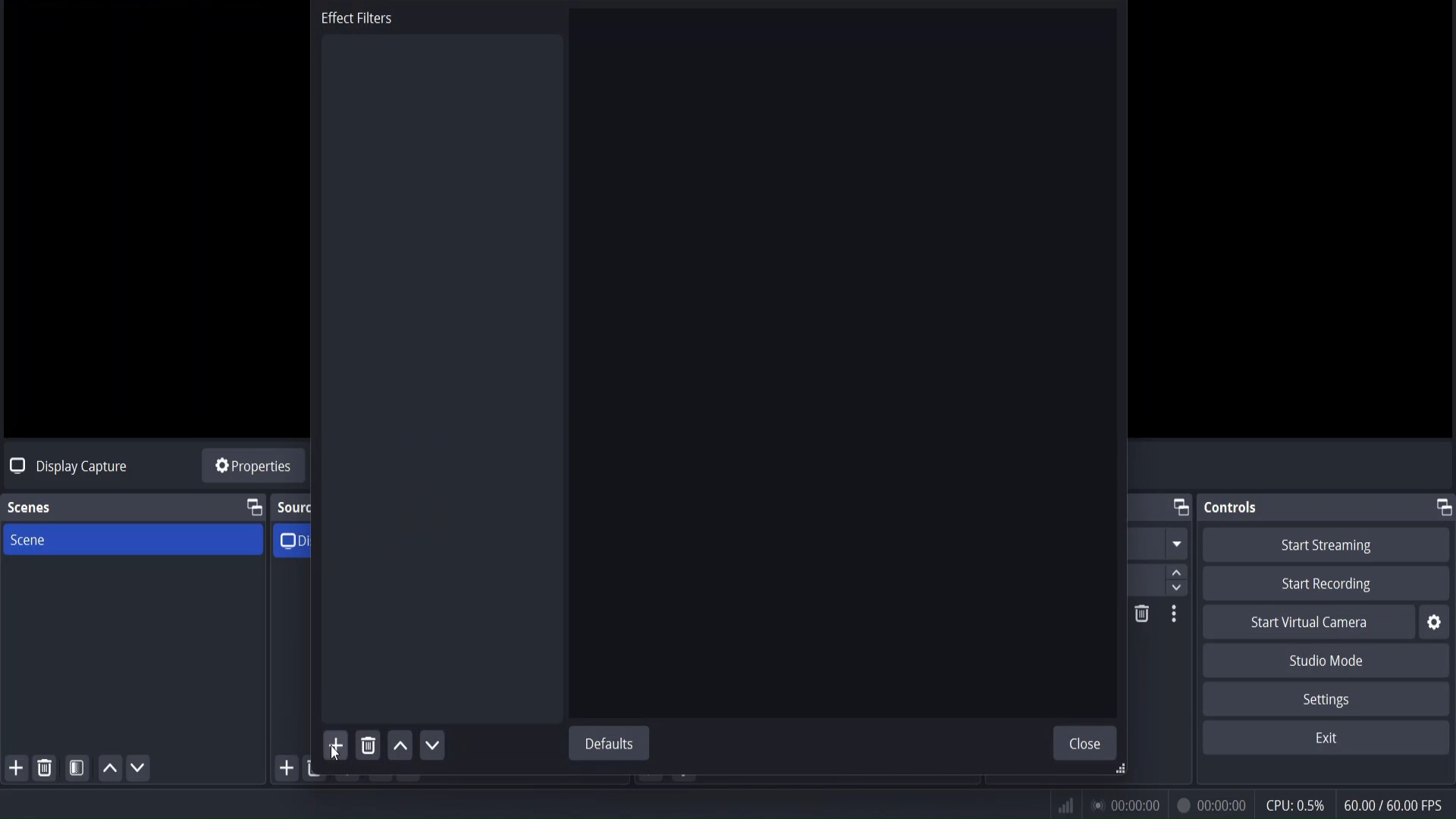 The image size is (1456, 819). I want to click on no source selected, so click(65, 465).